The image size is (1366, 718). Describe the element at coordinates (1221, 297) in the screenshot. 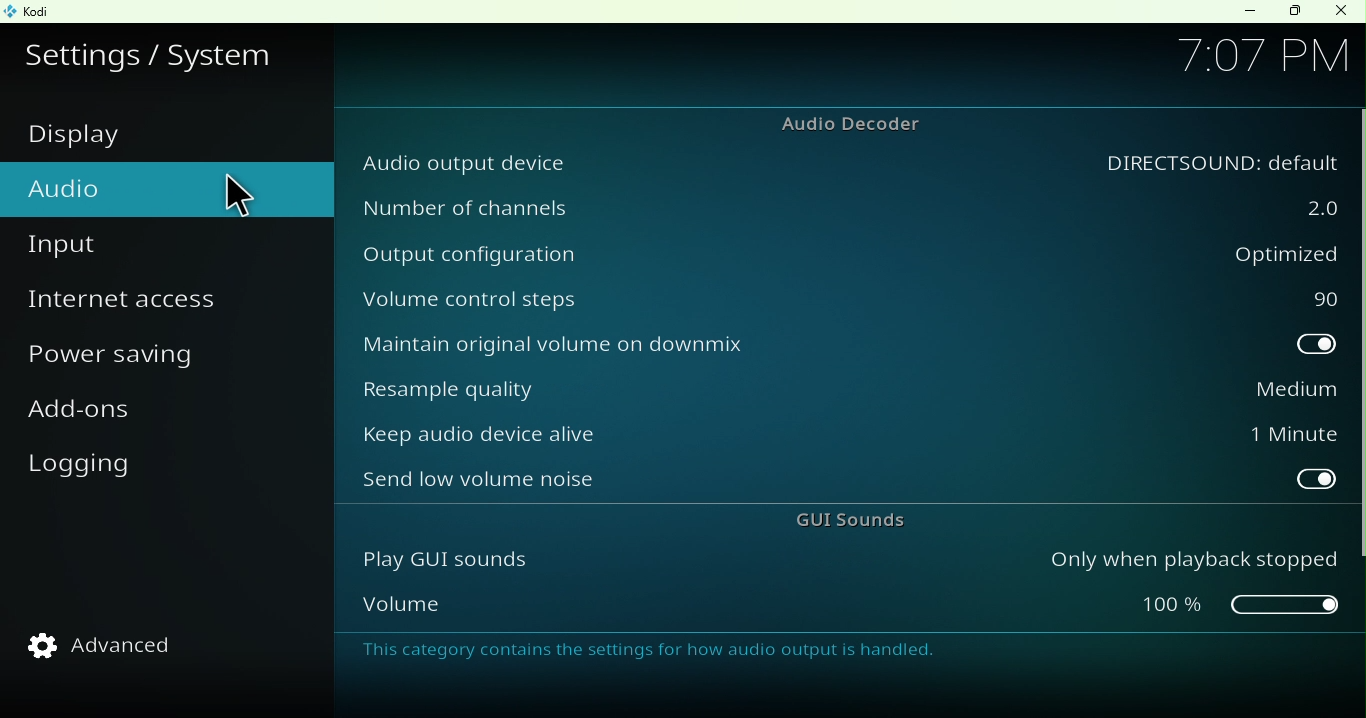

I see `90` at that location.